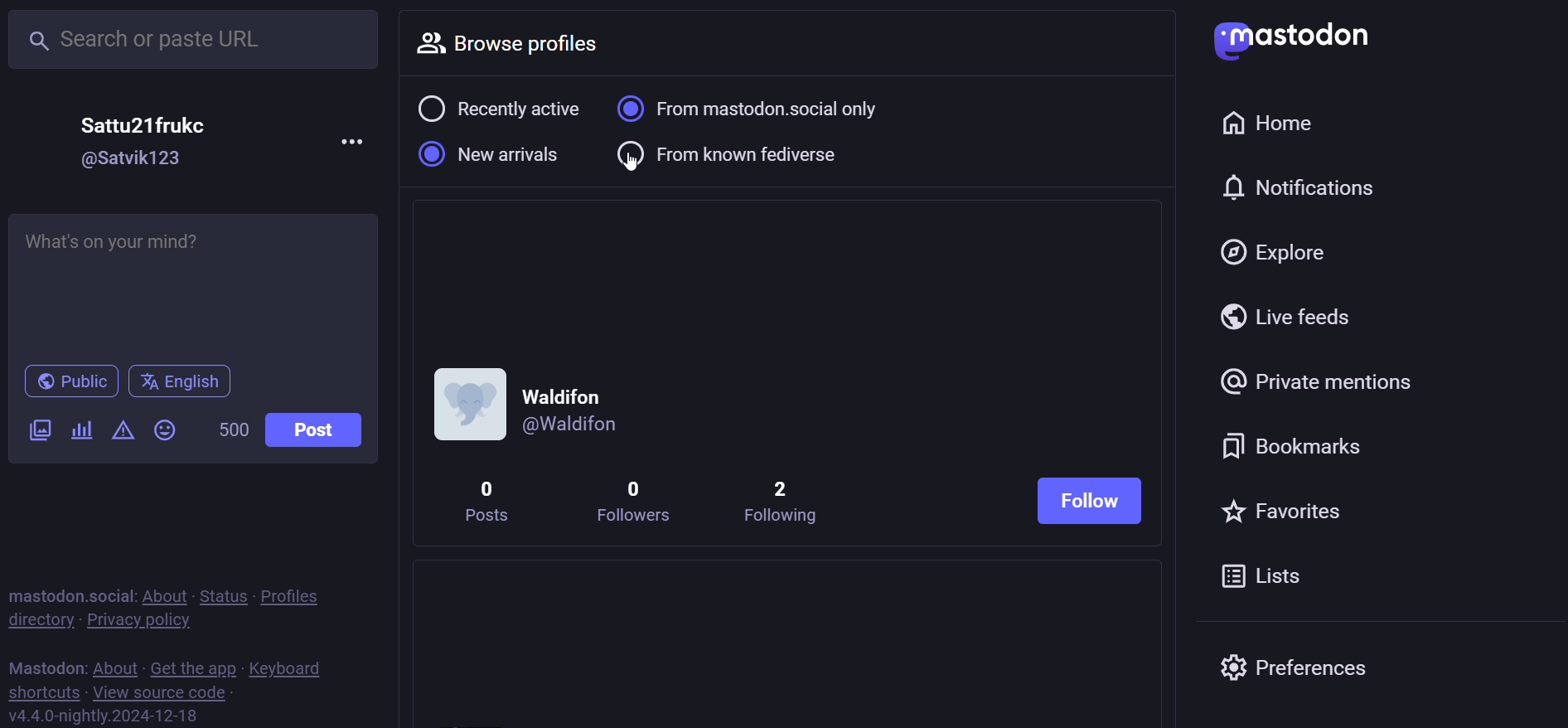  I want to click on lists, so click(1270, 580).